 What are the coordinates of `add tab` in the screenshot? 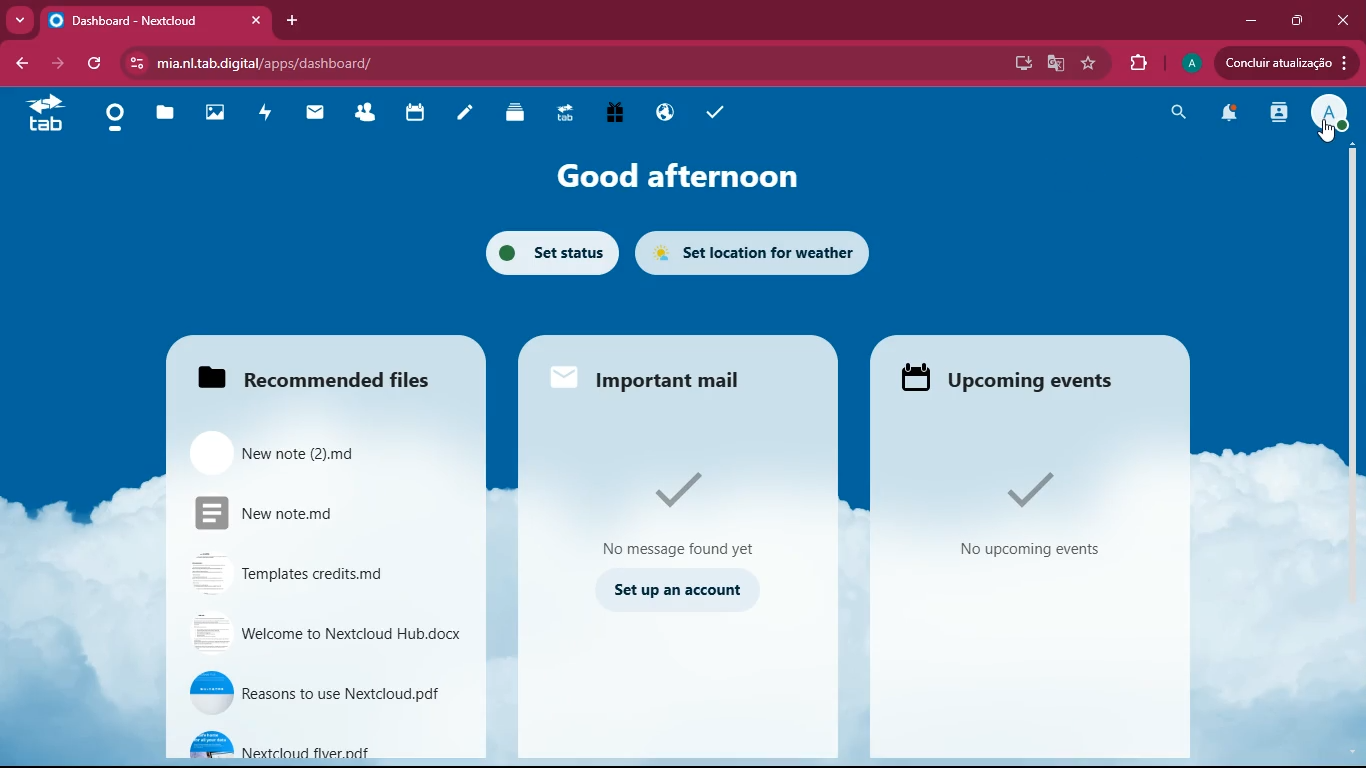 It's located at (293, 19).